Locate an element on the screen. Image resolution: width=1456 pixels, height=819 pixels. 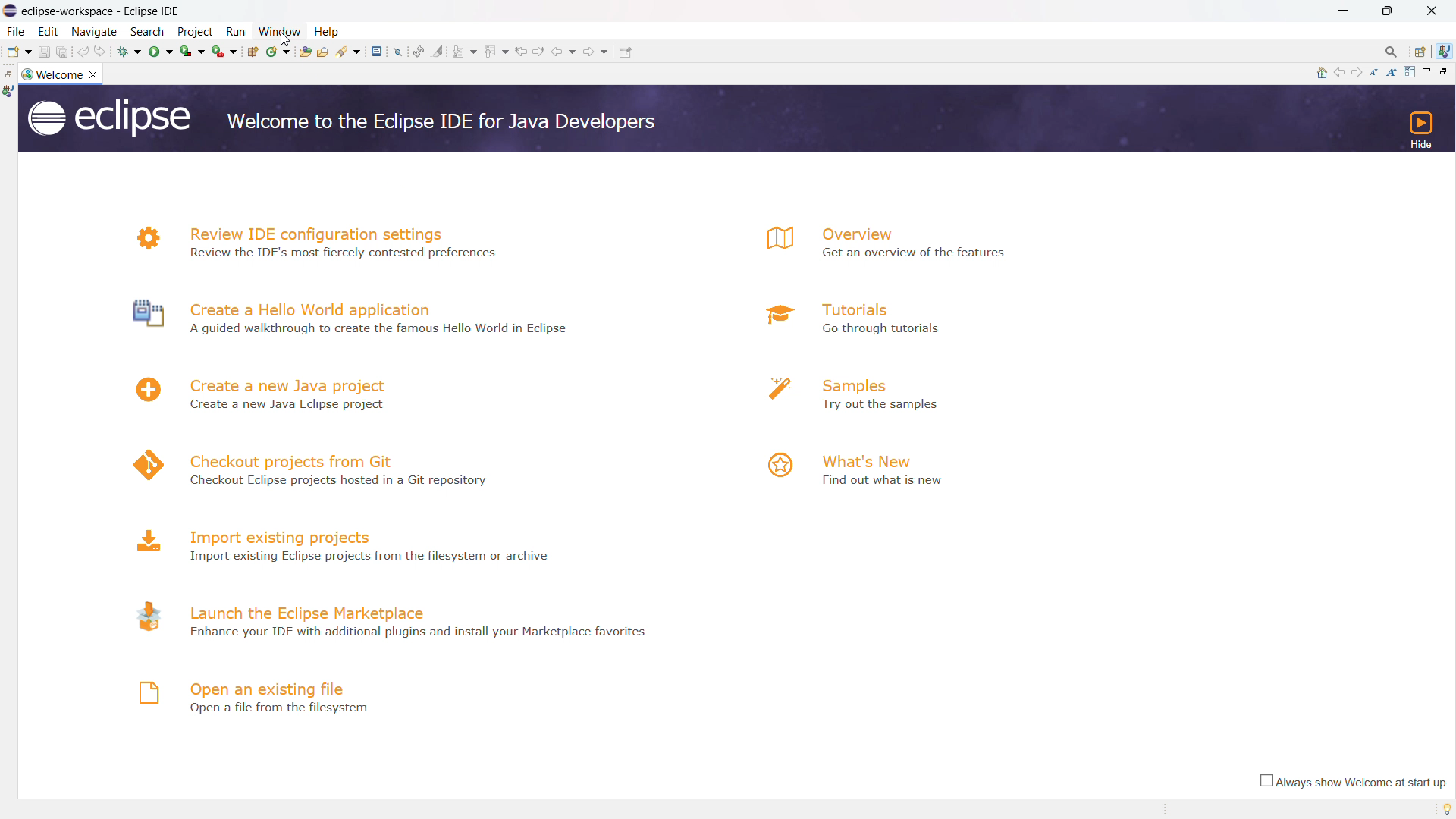
hide is located at coordinates (1419, 129).